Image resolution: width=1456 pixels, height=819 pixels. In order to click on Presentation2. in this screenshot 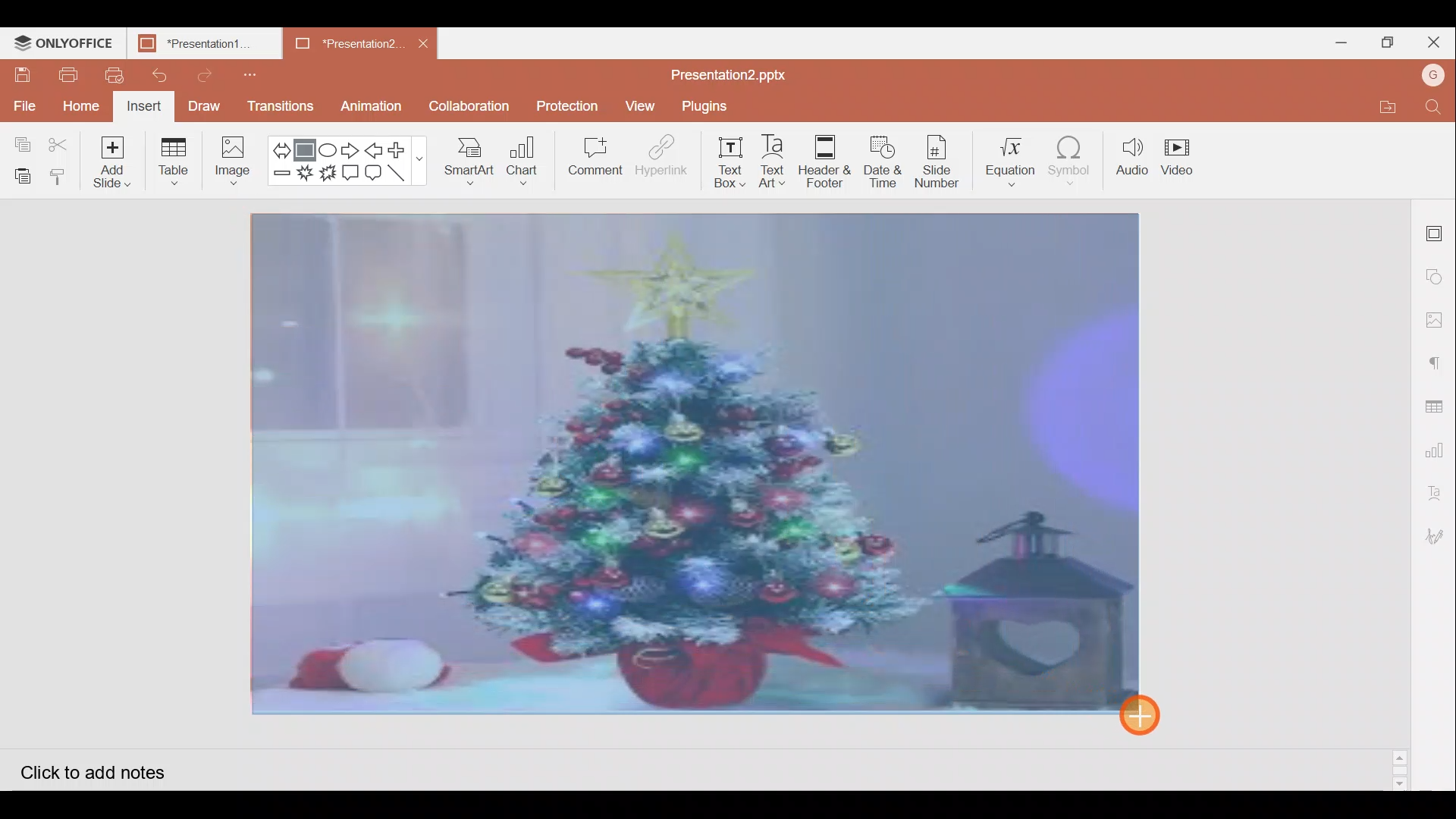, I will do `click(342, 44)`.